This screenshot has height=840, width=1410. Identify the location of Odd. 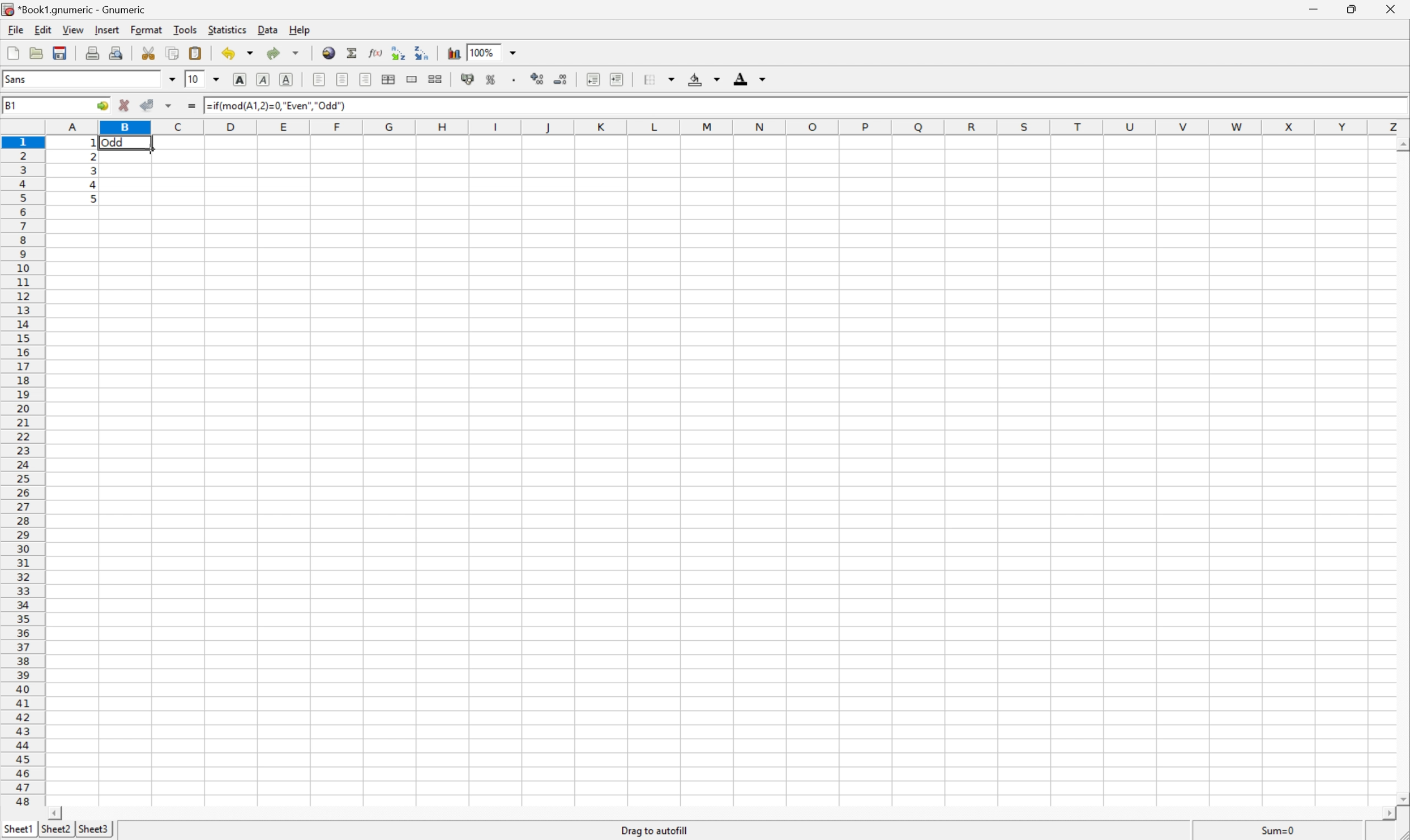
(117, 142).